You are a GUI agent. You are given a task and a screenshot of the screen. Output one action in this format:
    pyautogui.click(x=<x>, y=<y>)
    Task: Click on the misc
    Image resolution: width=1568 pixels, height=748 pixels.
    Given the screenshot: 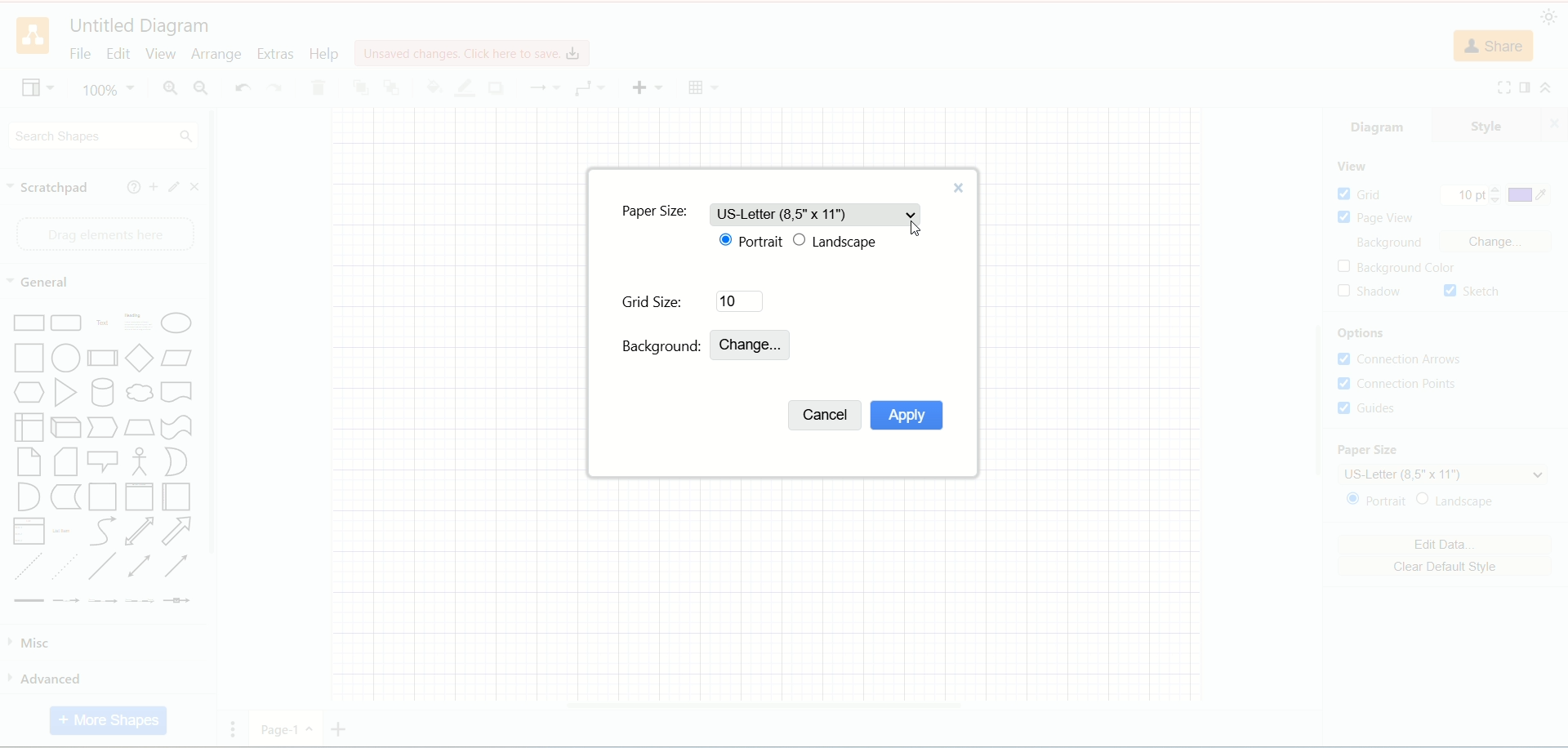 What is the action you would take?
    pyautogui.click(x=100, y=643)
    